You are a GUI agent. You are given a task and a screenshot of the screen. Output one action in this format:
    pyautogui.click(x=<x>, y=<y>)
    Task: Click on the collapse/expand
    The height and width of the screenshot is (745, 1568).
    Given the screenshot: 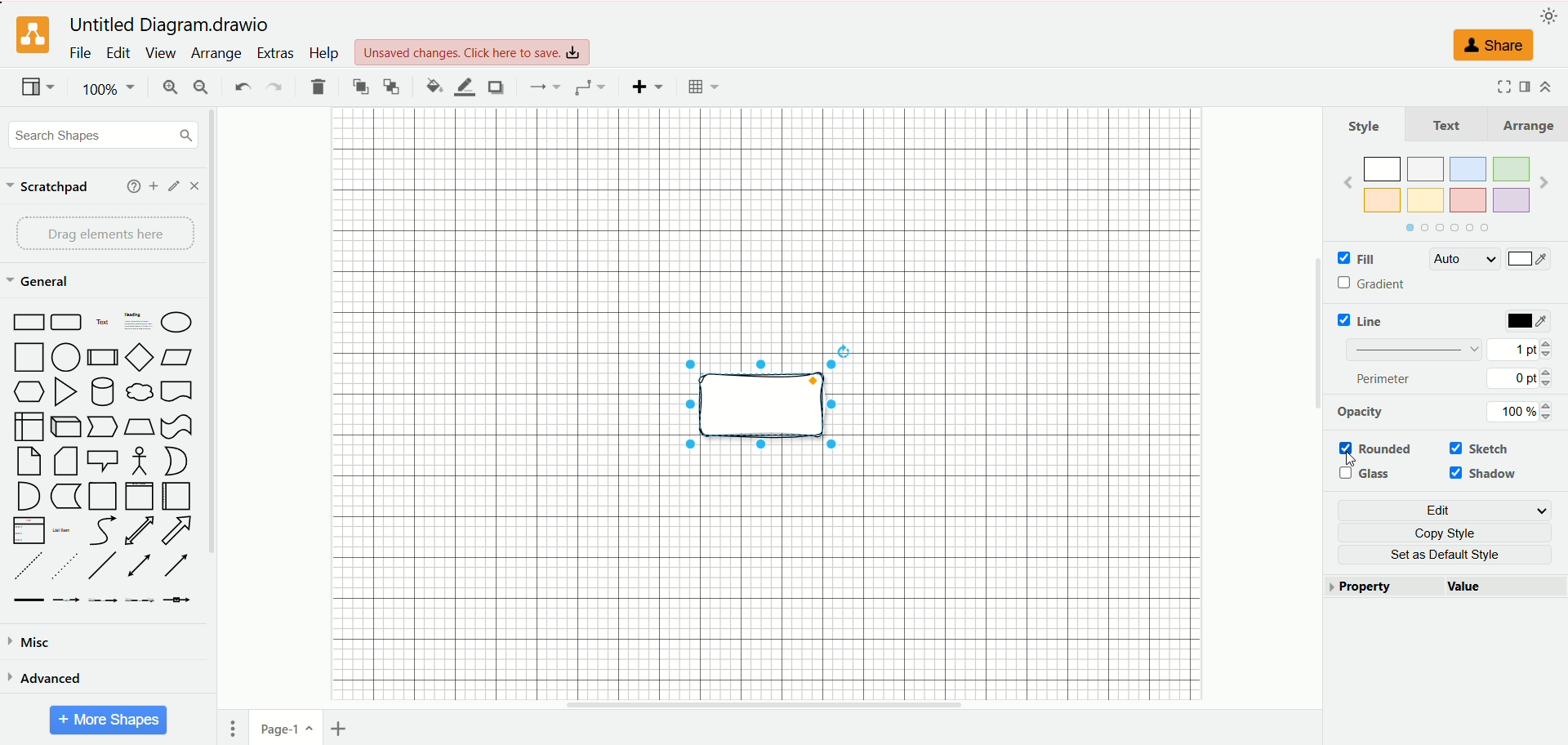 What is the action you would take?
    pyautogui.click(x=1545, y=87)
    